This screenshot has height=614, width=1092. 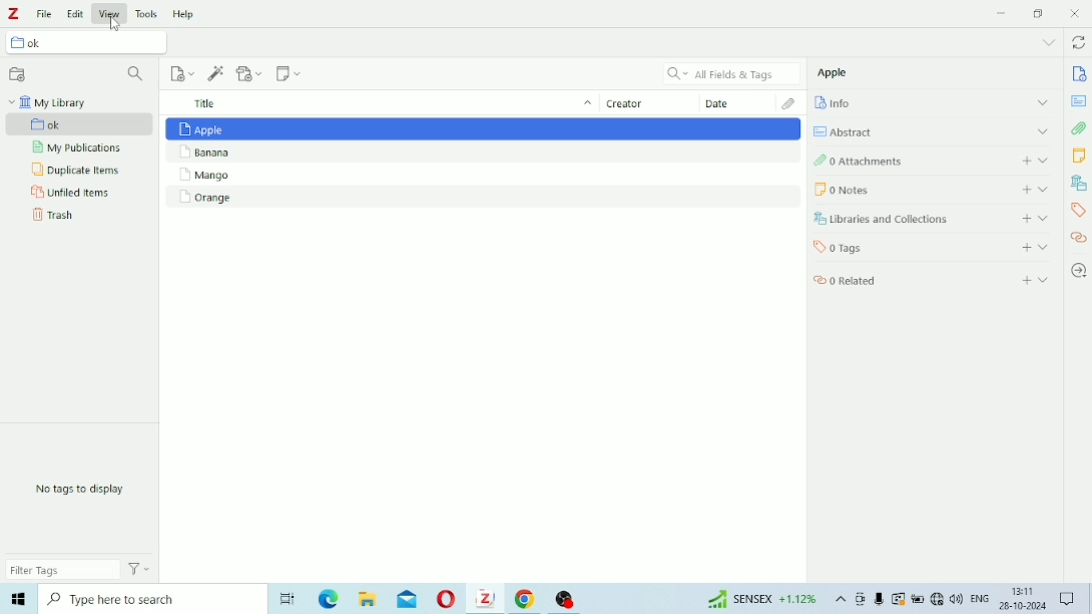 I want to click on Zotero, so click(x=485, y=600).